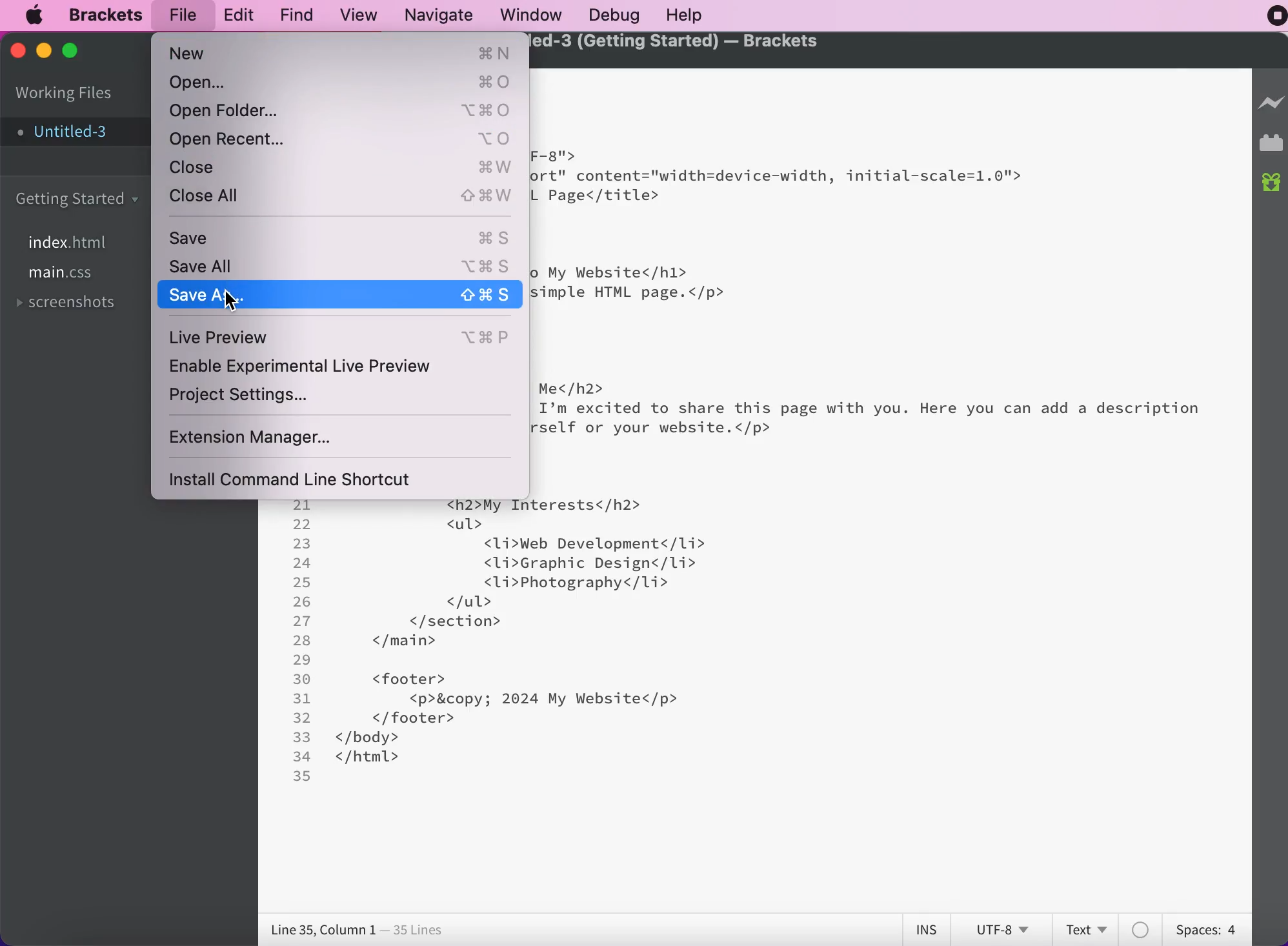  Describe the element at coordinates (302, 602) in the screenshot. I see `26` at that location.